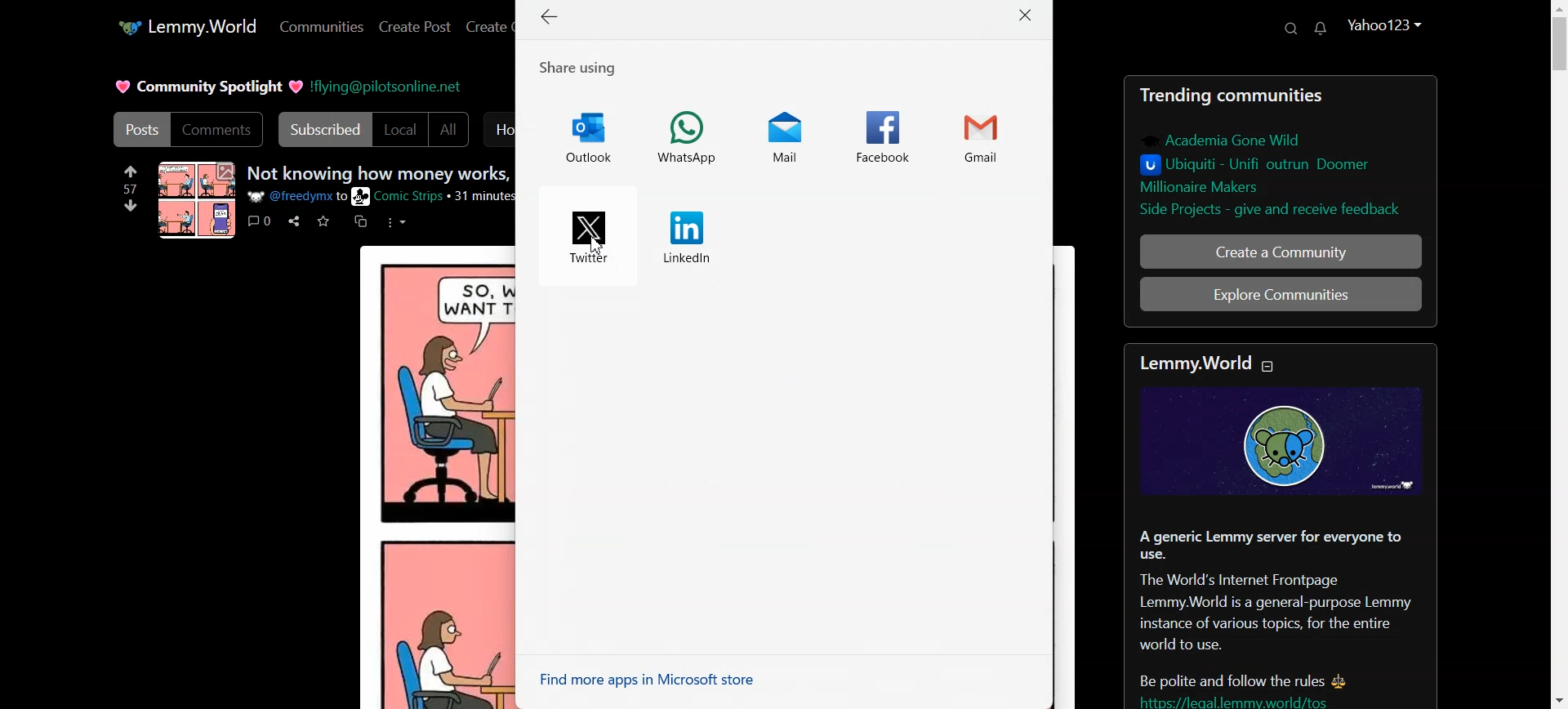 This screenshot has height=709, width=1568. Describe the element at coordinates (400, 129) in the screenshot. I see `Local` at that location.